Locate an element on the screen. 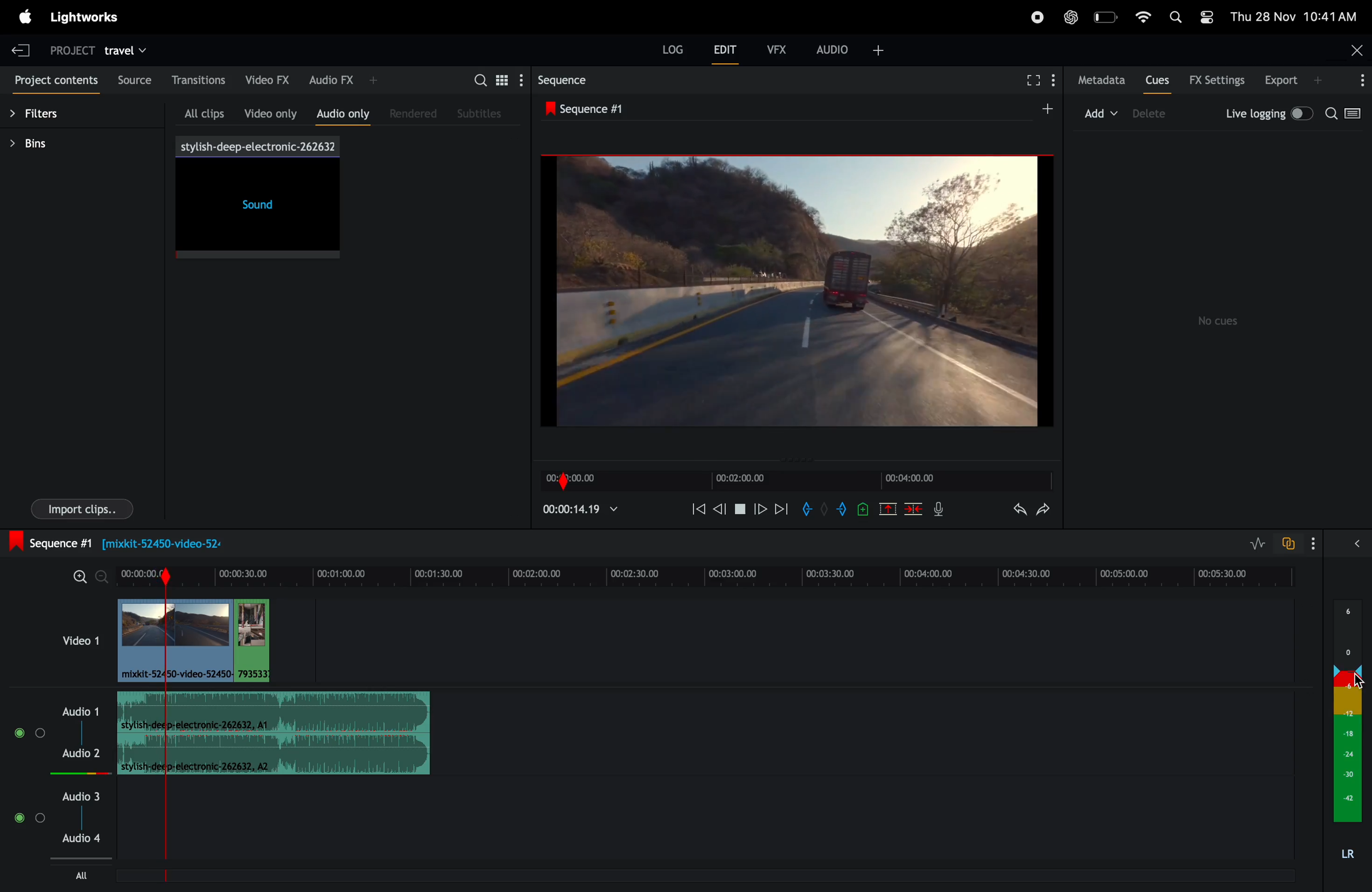 The width and height of the screenshot is (1372, 892). search for assets  bin is located at coordinates (495, 80).